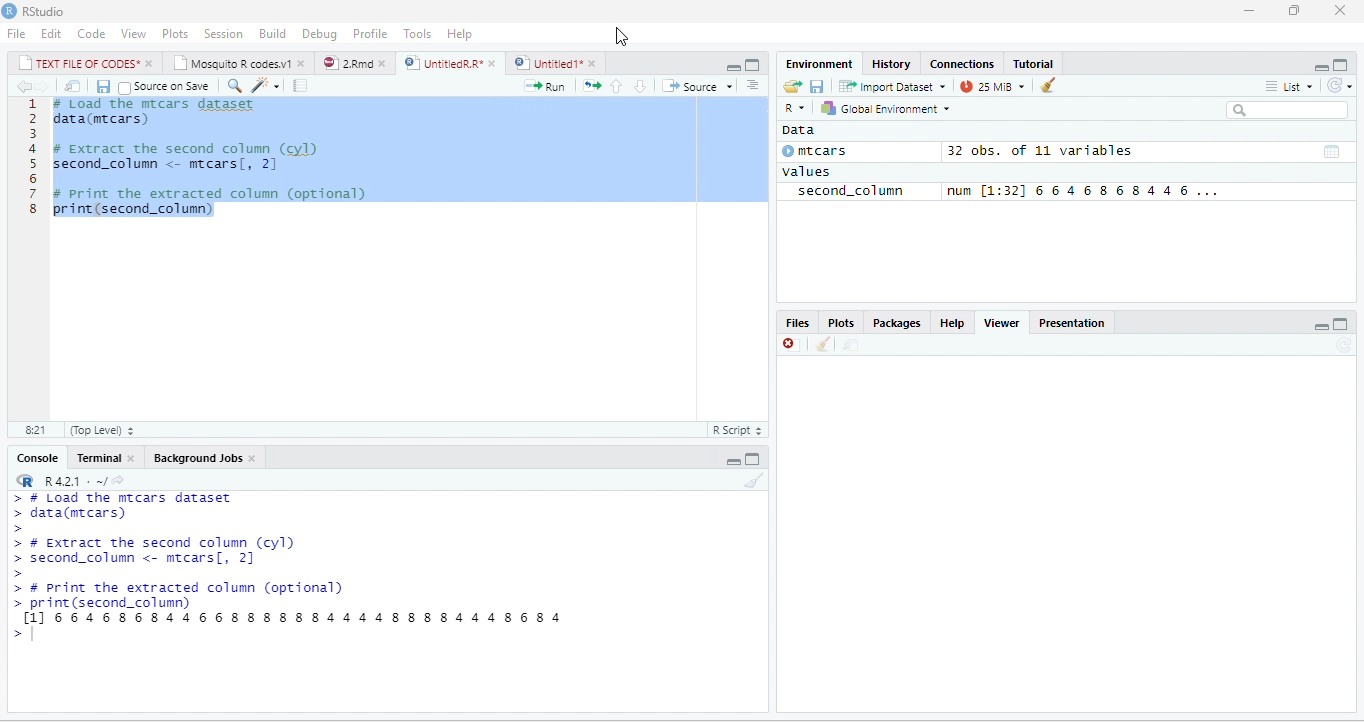  What do you see at coordinates (789, 87) in the screenshot?
I see `open` at bounding box center [789, 87].